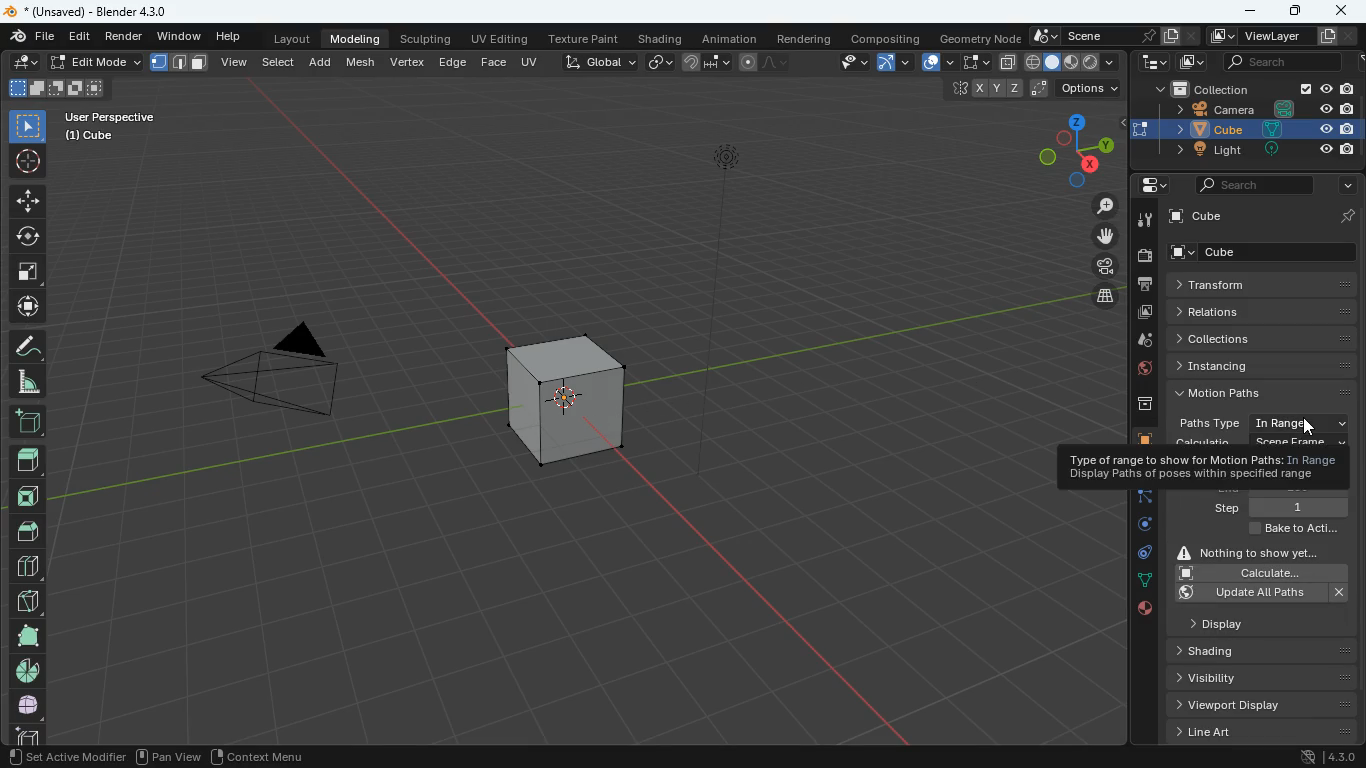 This screenshot has width=1366, height=768. Describe the element at coordinates (1292, 12) in the screenshot. I see `maximize` at that location.